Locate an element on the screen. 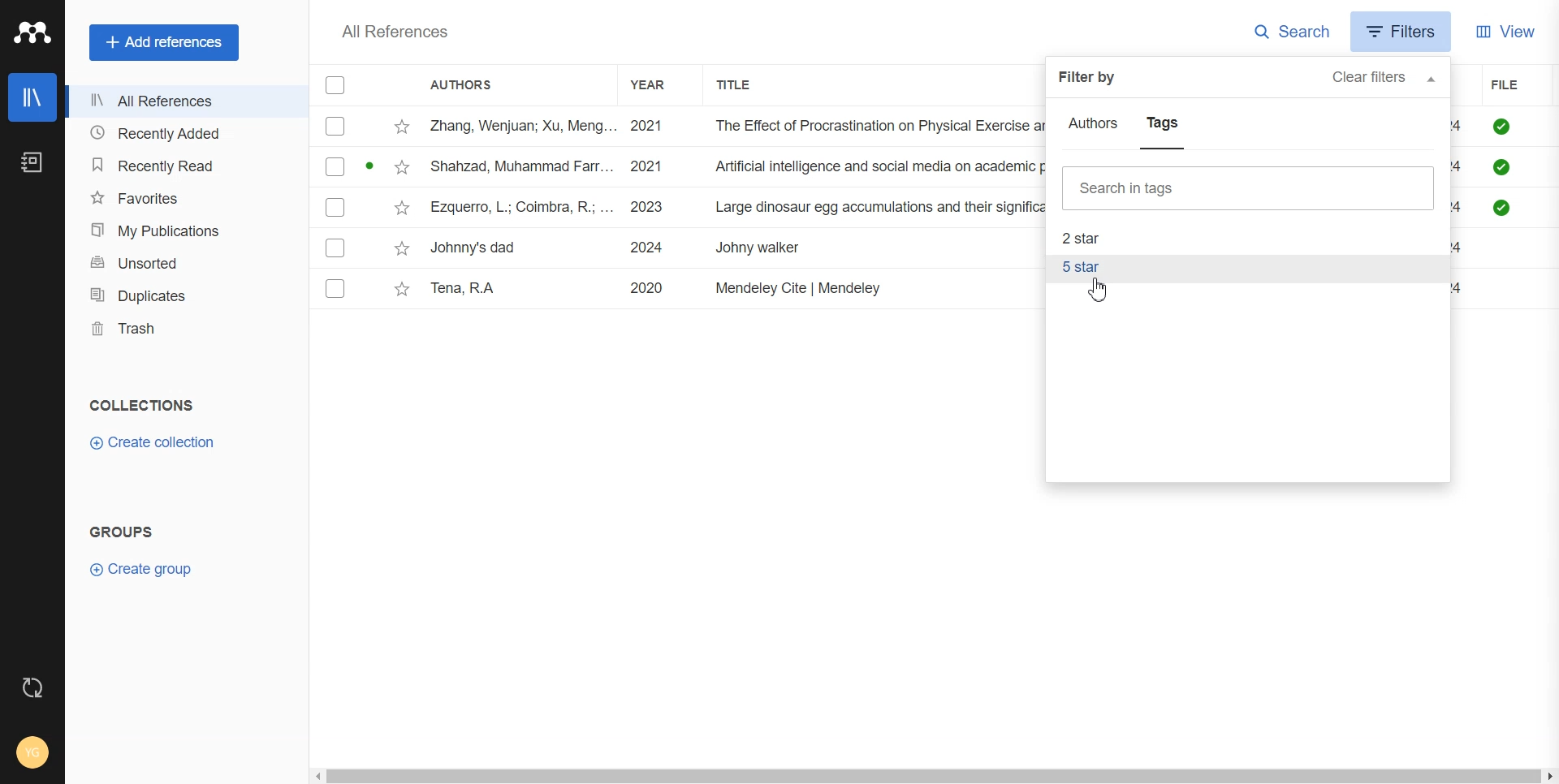 The width and height of the screenshot is (1559, 784). Year is located at coordinates (661, 85).